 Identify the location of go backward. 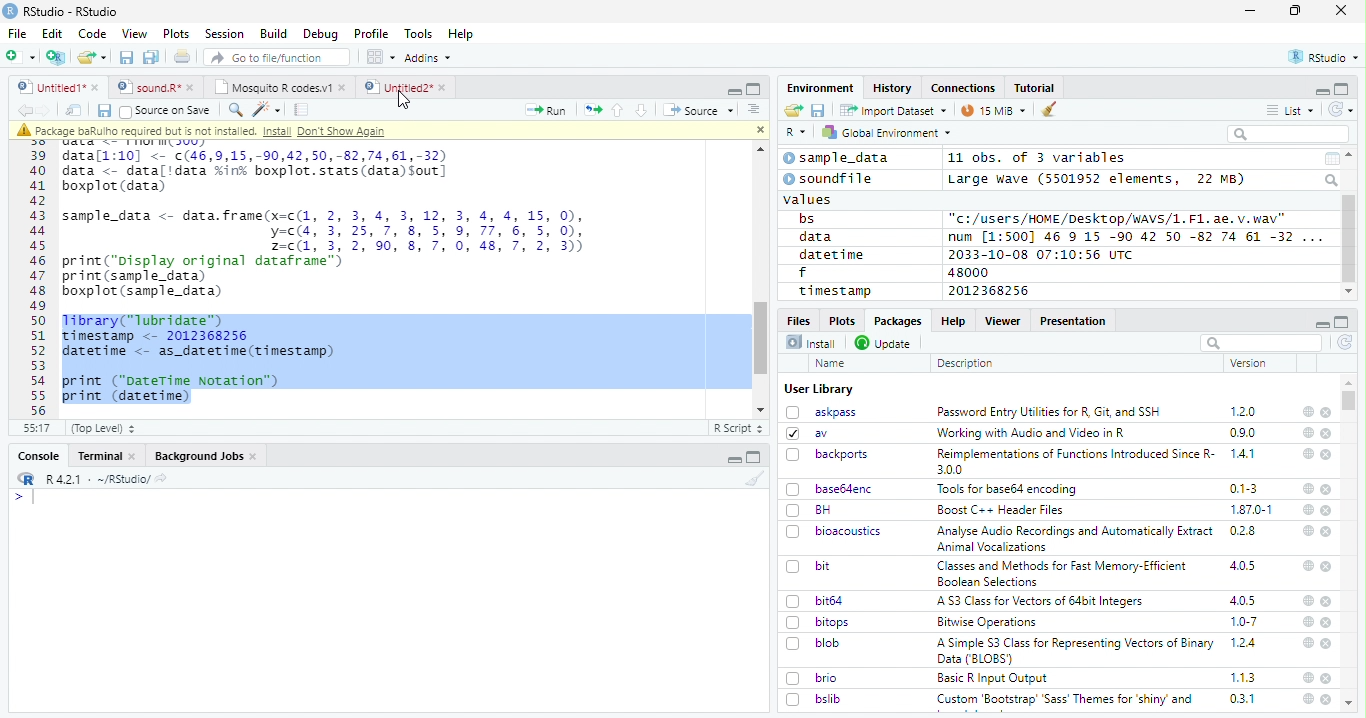
(25, 109).